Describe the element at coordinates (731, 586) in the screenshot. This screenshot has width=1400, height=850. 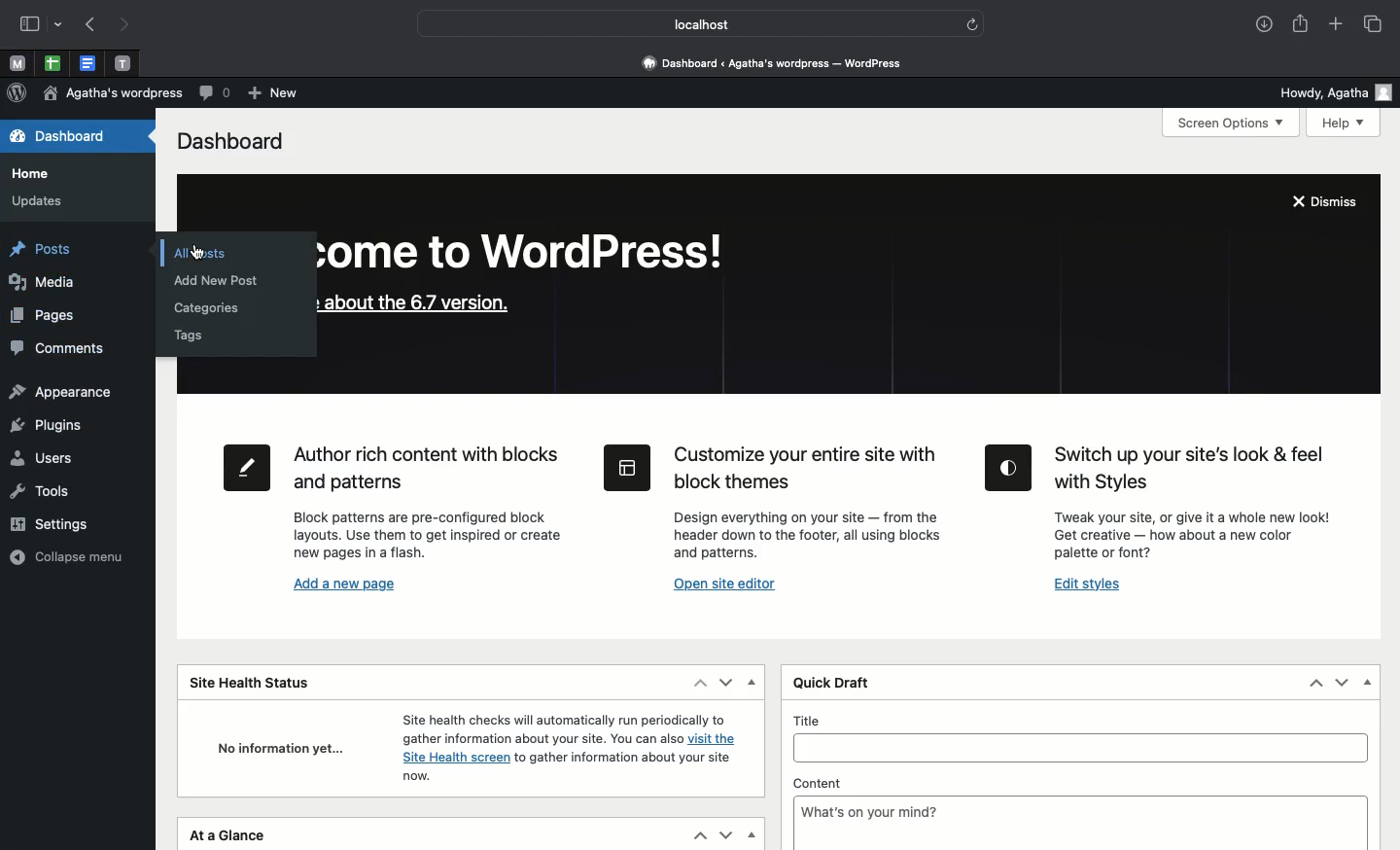
I see `Open site editor` at that location.